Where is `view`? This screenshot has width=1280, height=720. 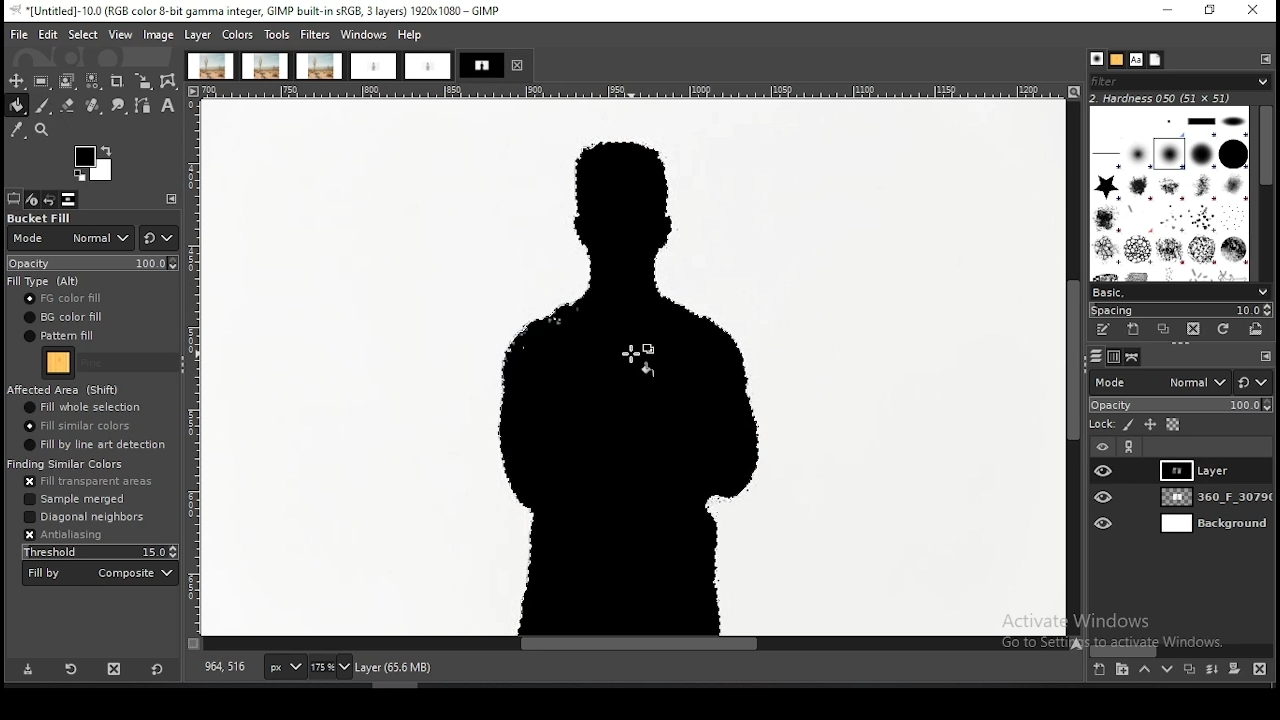 view is located at coordinates (122, 34).